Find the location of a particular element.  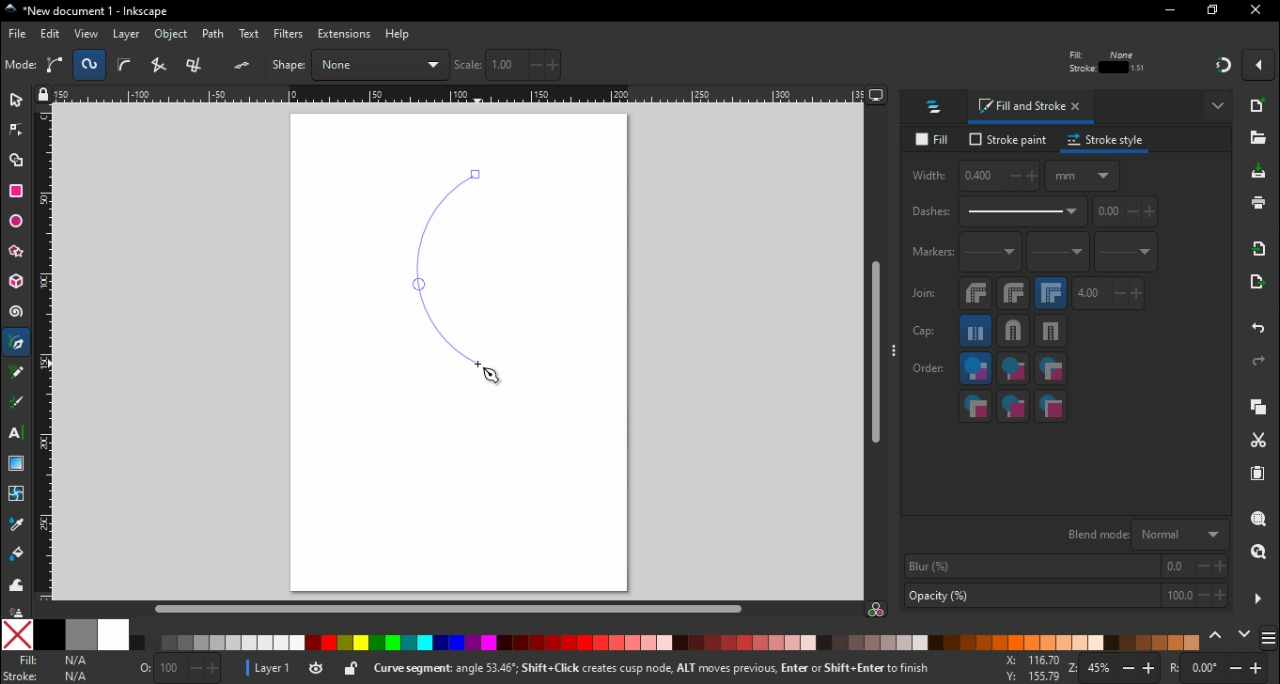

fill color is located at coordinates (53, 661).